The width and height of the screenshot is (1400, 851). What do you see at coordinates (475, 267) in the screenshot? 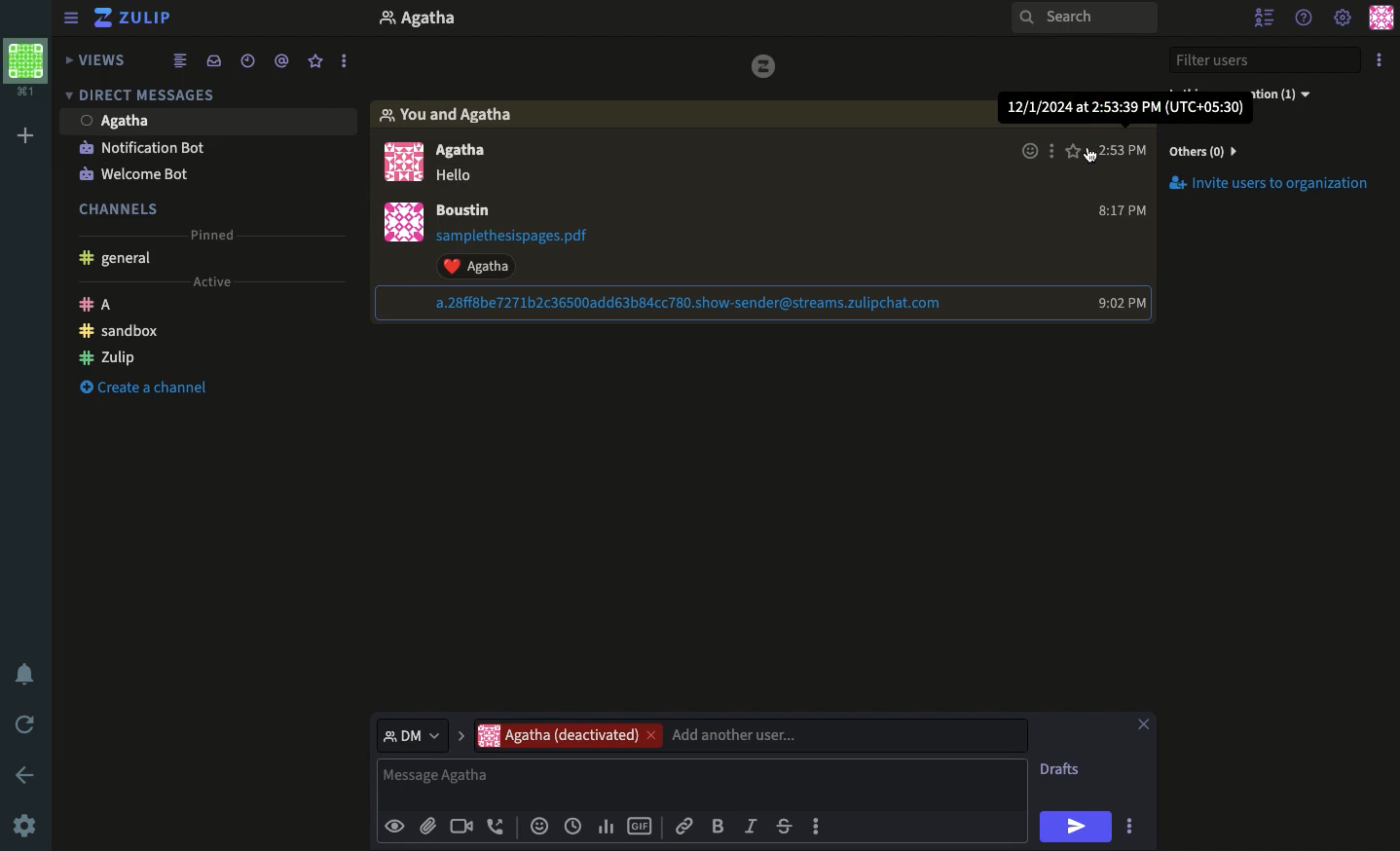
I see `Reaction` at bounding box center [475, 267].